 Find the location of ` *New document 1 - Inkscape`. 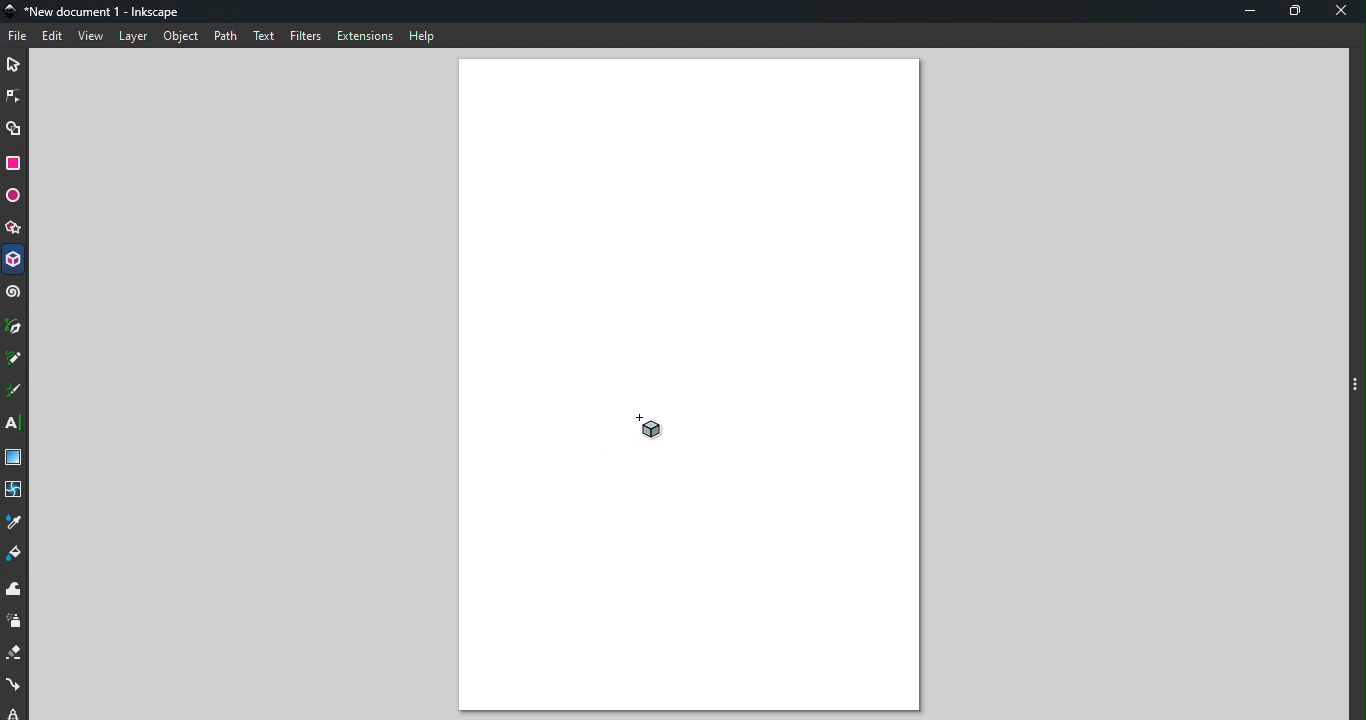

 *New document 1 - Inkscape is located at coordinates (96, 13).